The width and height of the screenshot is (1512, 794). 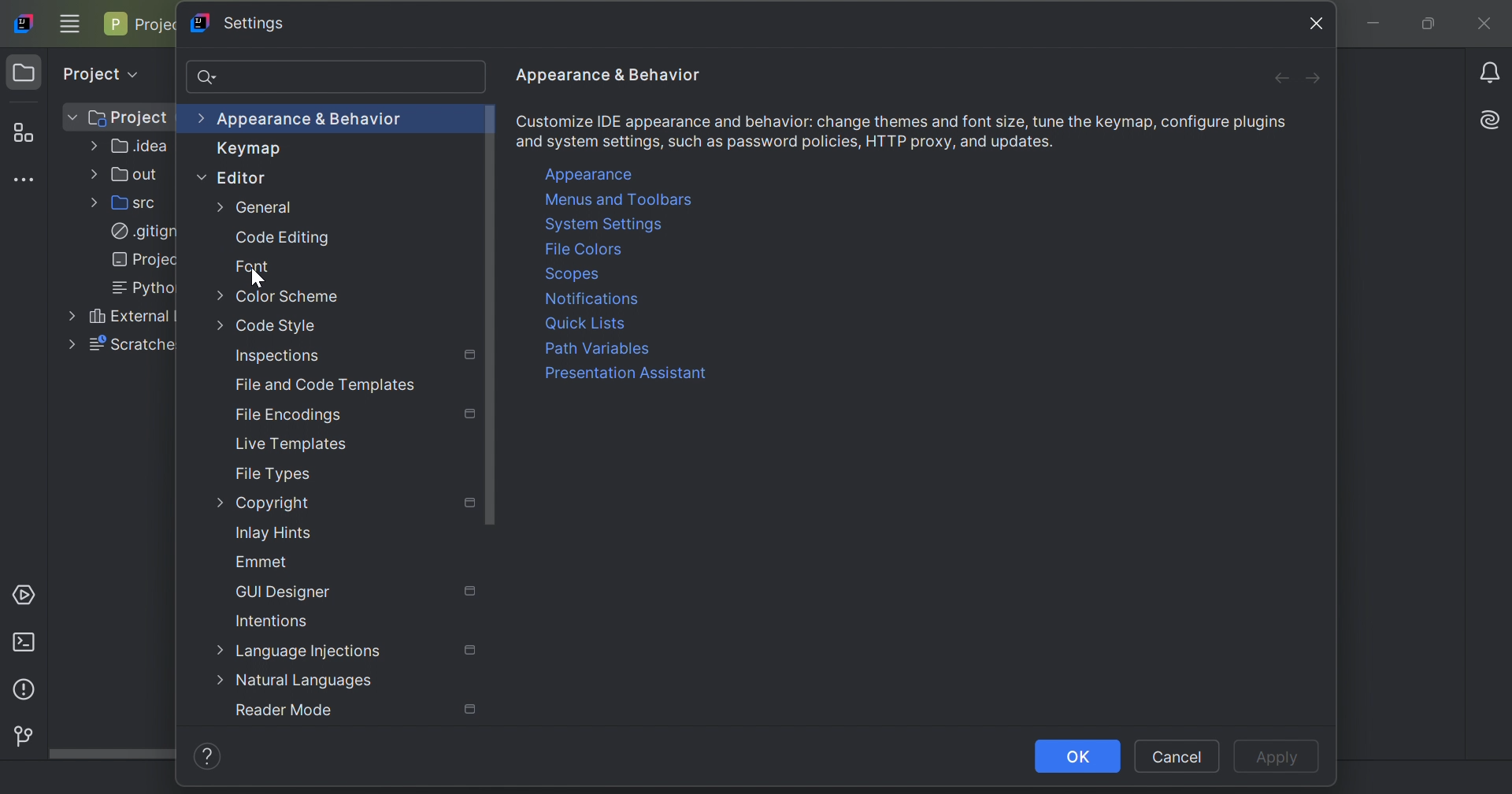 What do you see at coordinates (242, 150) in the screenshot?
I see `Keymap` at bounding box center [242, 150].